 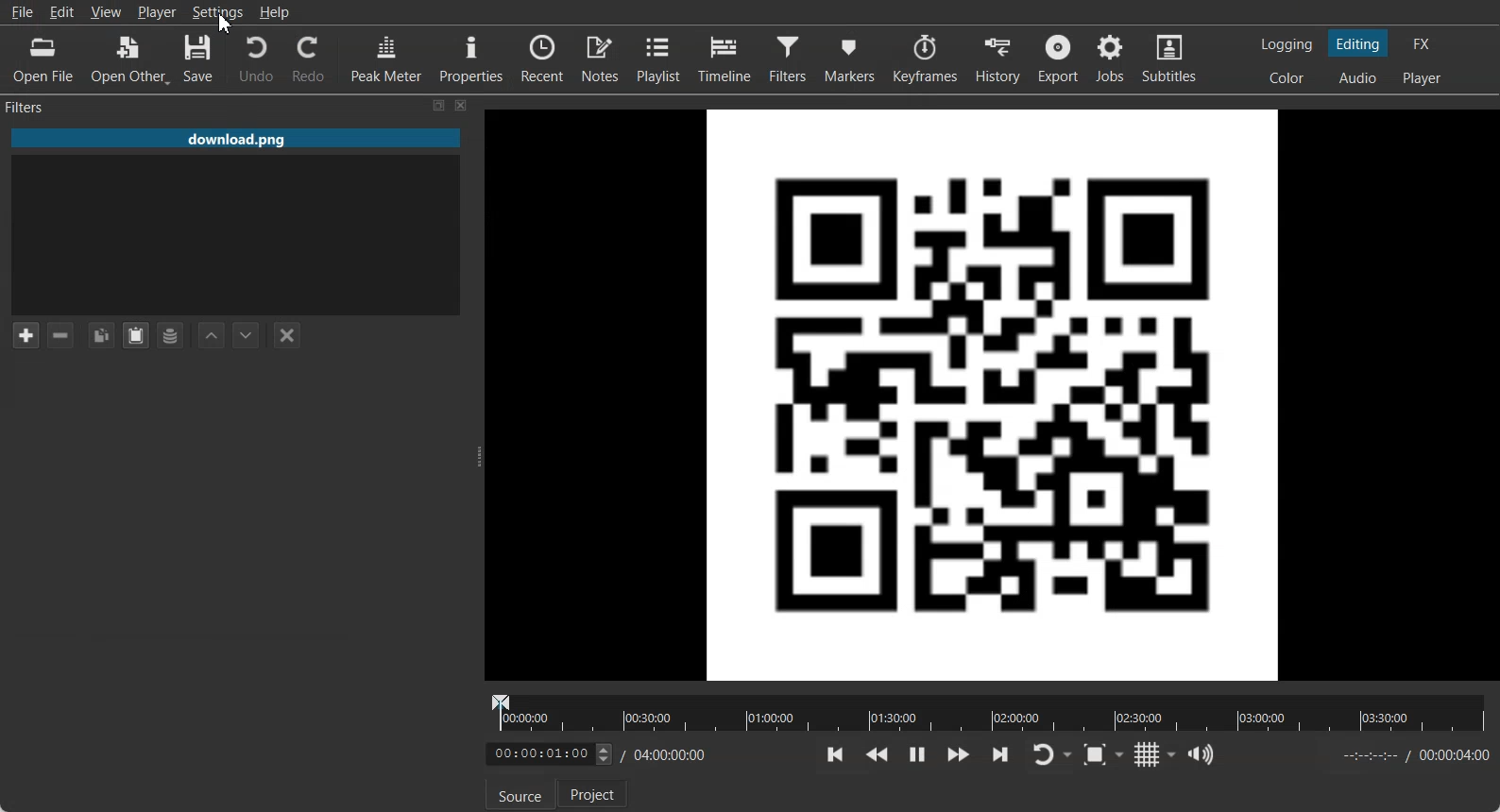 I want to click on Toggle zoom, so click(x=1103, y=754).